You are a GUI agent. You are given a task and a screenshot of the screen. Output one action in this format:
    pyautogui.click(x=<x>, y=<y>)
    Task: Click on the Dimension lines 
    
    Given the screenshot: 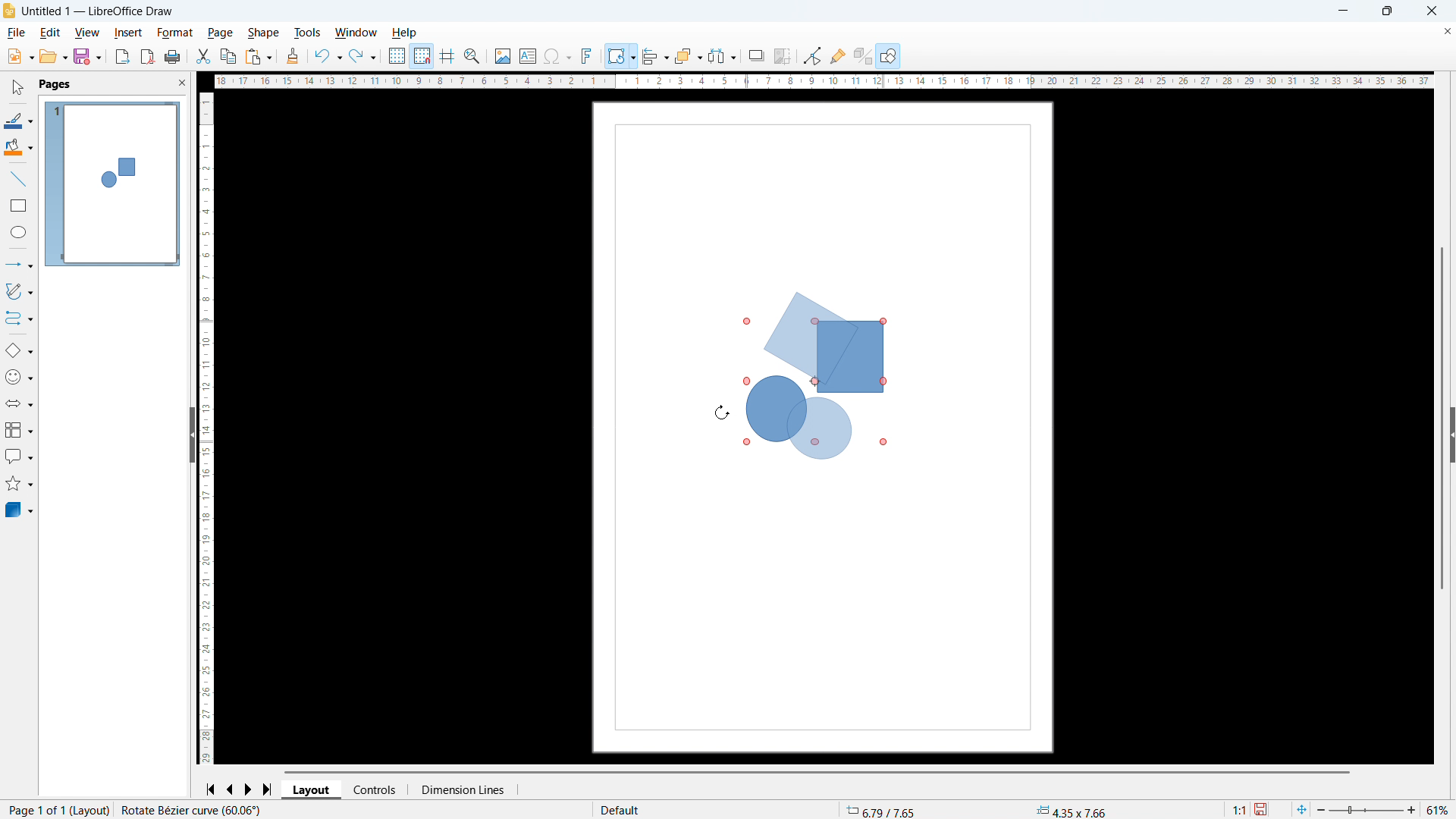 What is the action you would take?
    pyautogui.click(x=463, y=789)
    